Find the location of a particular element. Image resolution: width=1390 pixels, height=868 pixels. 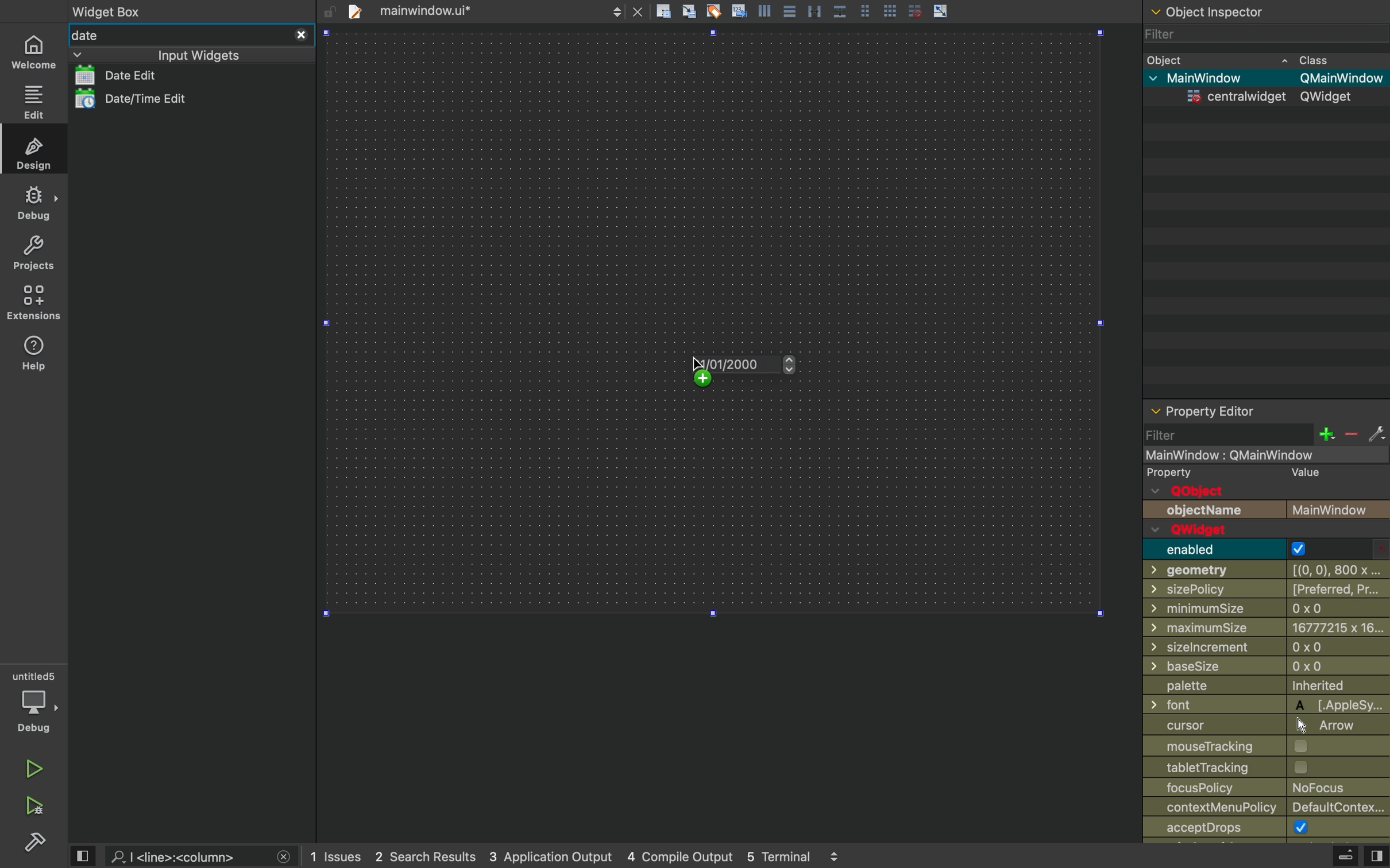

property editor is located at coordinates (1265, 410).